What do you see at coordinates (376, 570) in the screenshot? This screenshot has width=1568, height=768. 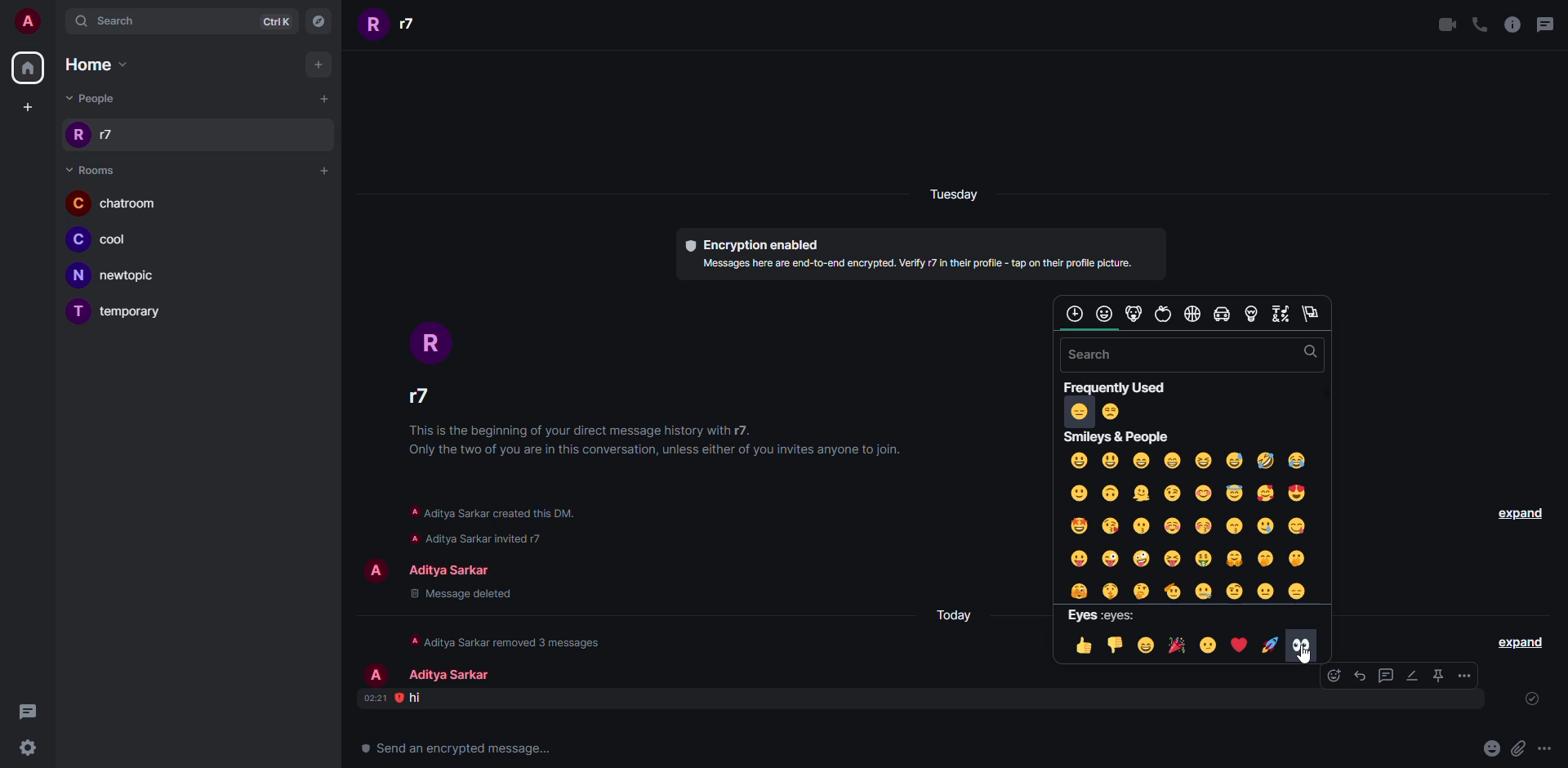 I see `profile` at bounding box center [376, 570].